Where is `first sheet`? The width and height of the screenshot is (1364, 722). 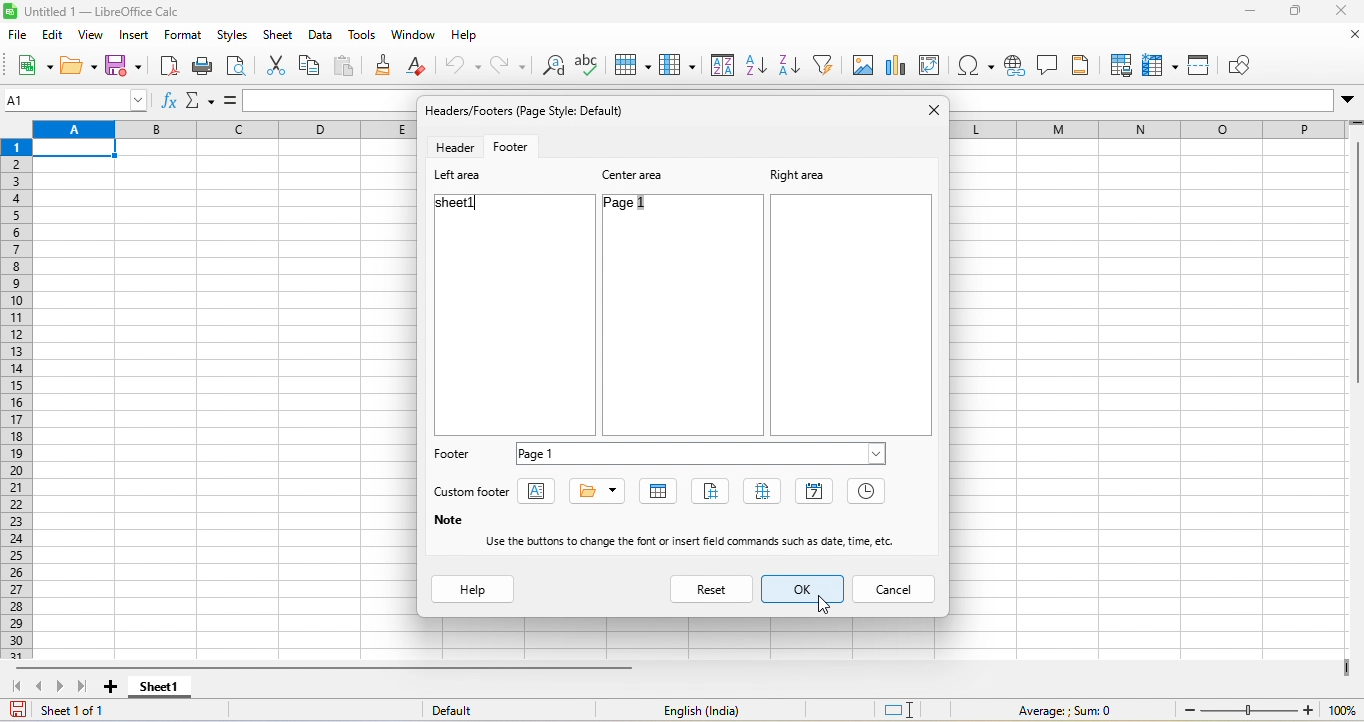
first sheet is located at coordinates (16, 687).